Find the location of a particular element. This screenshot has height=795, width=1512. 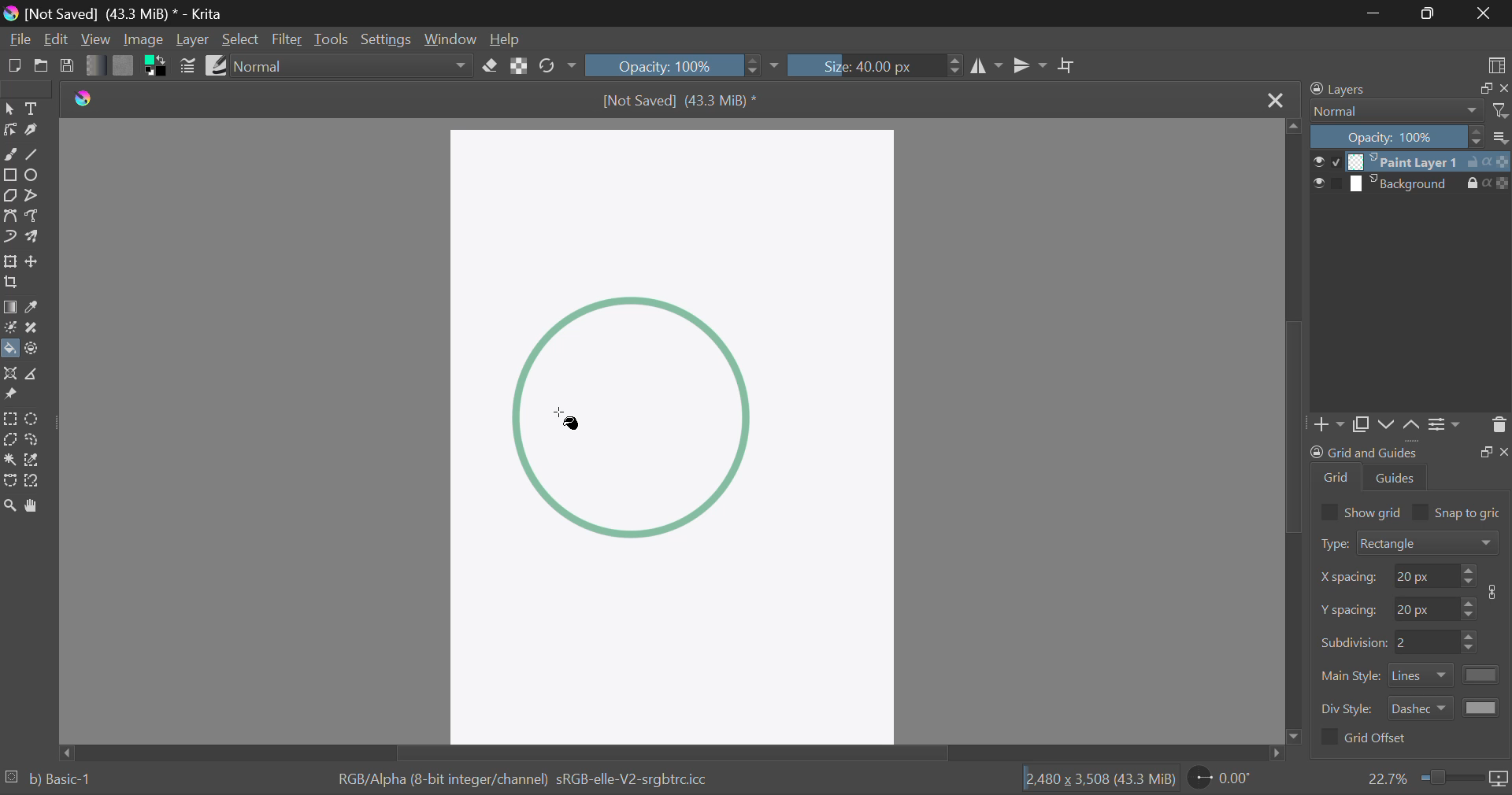

Save is located at coordinates (68, 68).